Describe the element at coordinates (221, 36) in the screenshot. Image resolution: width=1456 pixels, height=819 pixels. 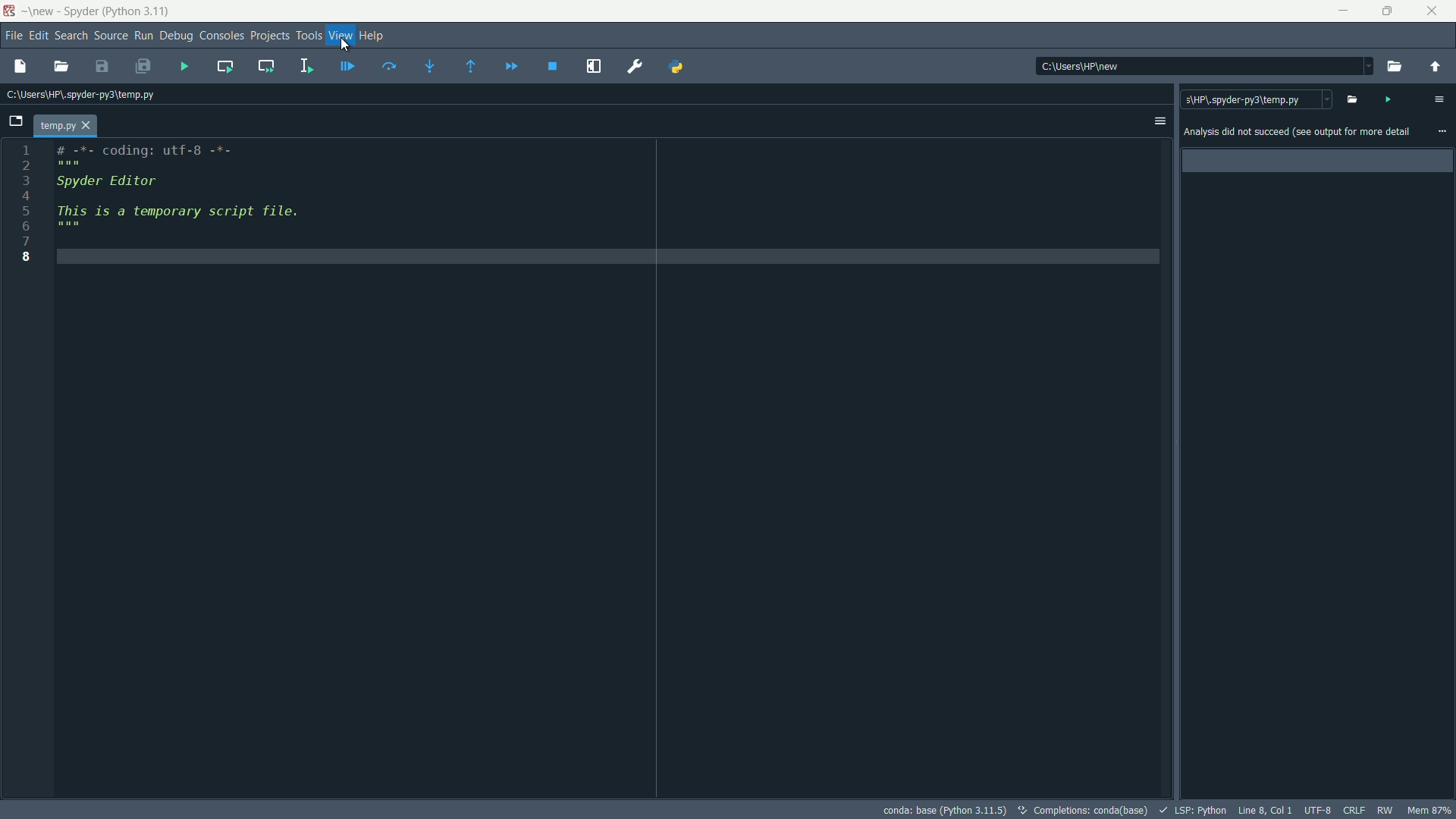
I see `consoles` at that location.